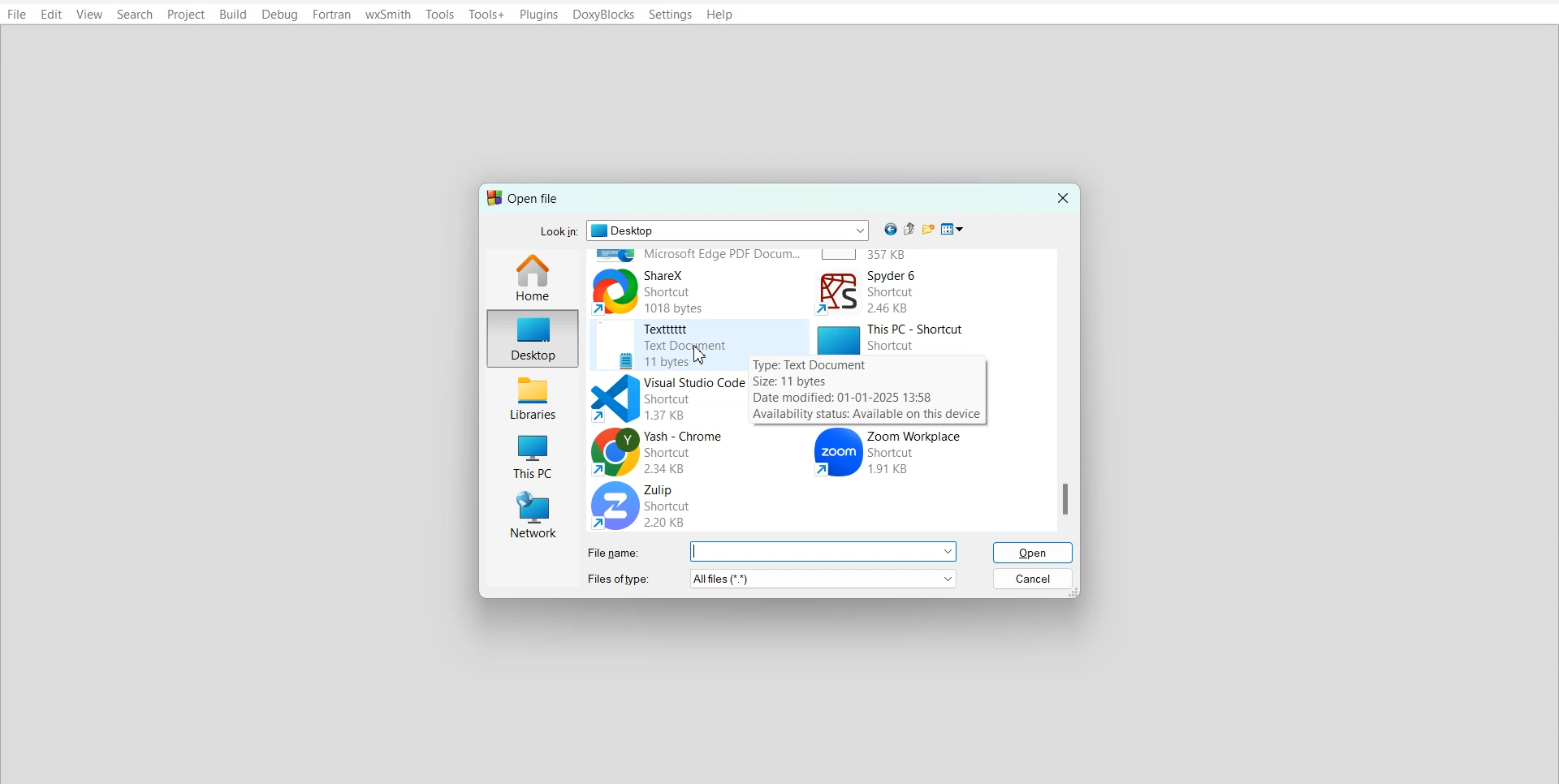 The width and height of the screenshot is (1559, 784). What do you see at coordinates (529, 456) in the screenshot?
I see `This PC` at bounding box center [529, 456].